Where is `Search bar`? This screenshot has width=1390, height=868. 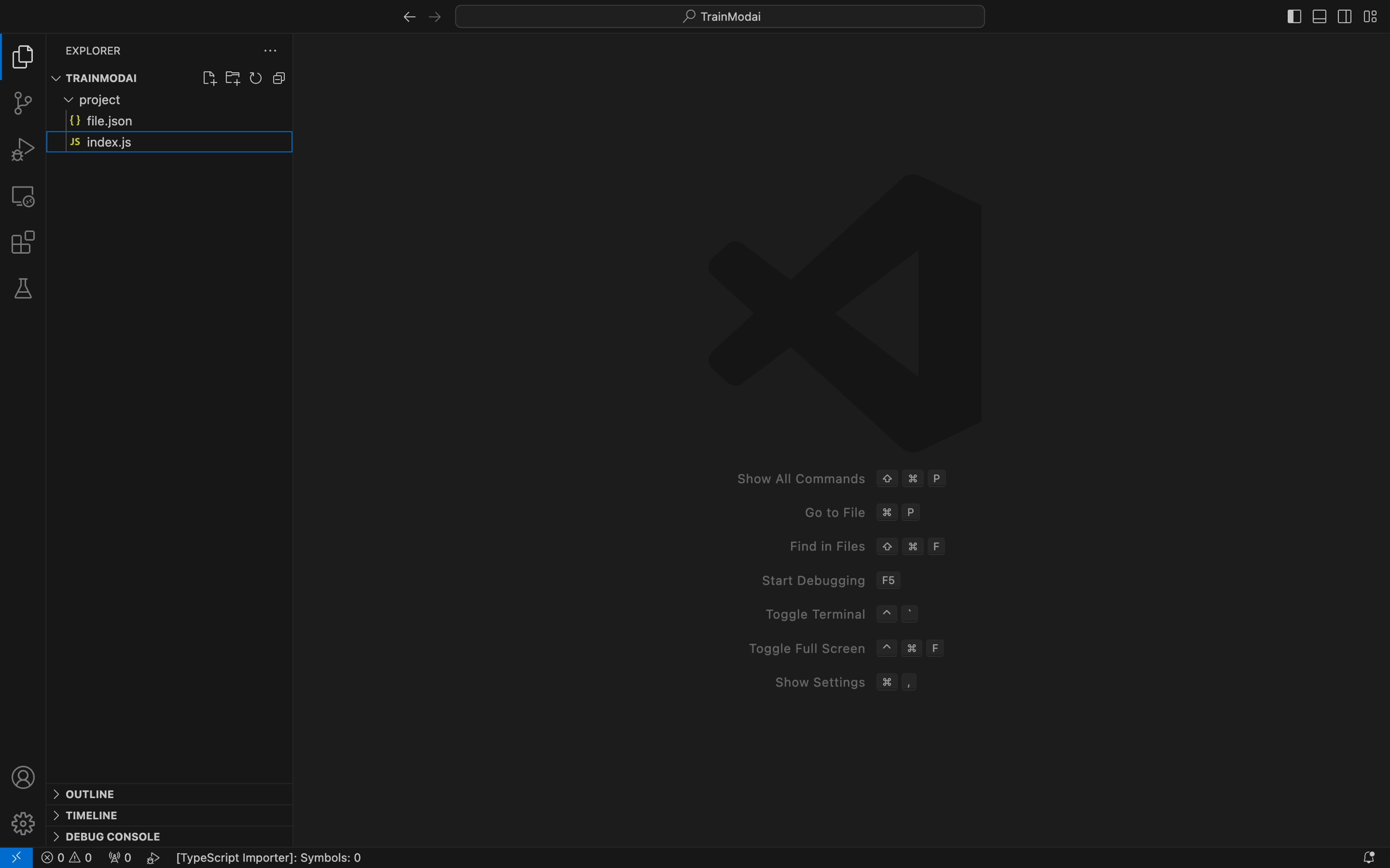
Search bar is located at coordinates (725, 16).